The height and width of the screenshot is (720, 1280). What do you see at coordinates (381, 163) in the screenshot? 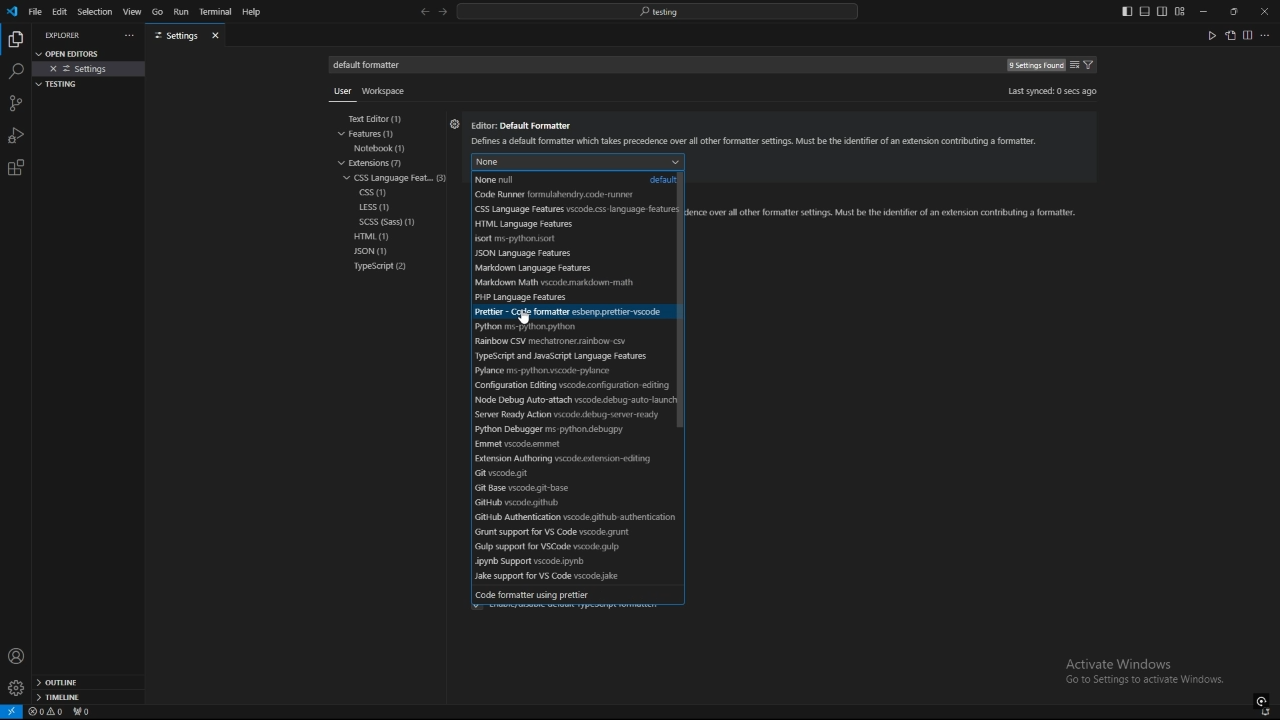
I see `extensions` at bounding box center [381, 163].